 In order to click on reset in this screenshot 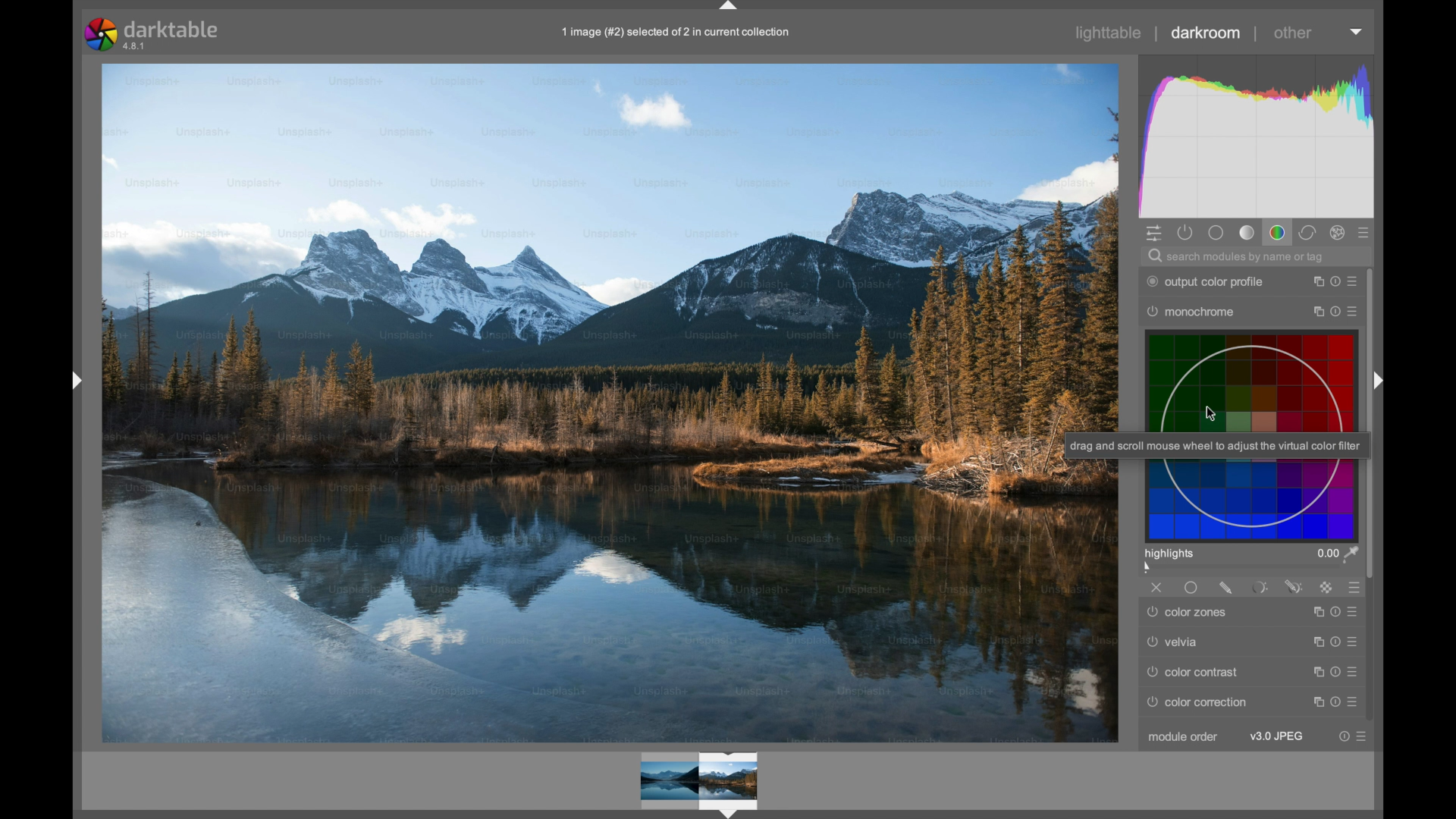, I will do `click(1336, 642)`.